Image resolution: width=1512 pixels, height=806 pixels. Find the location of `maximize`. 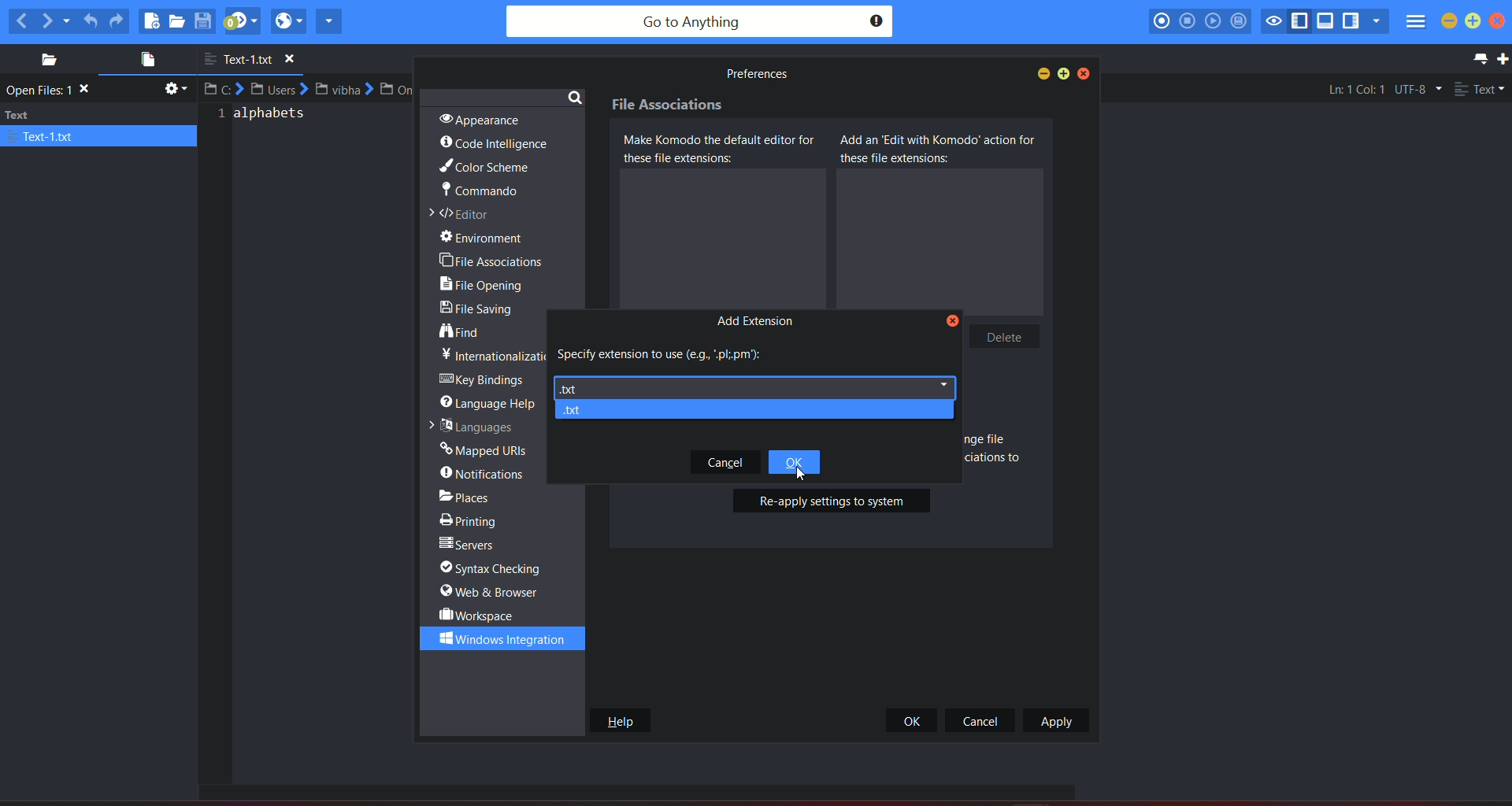

maximize is located at coordinates (1474, 20).